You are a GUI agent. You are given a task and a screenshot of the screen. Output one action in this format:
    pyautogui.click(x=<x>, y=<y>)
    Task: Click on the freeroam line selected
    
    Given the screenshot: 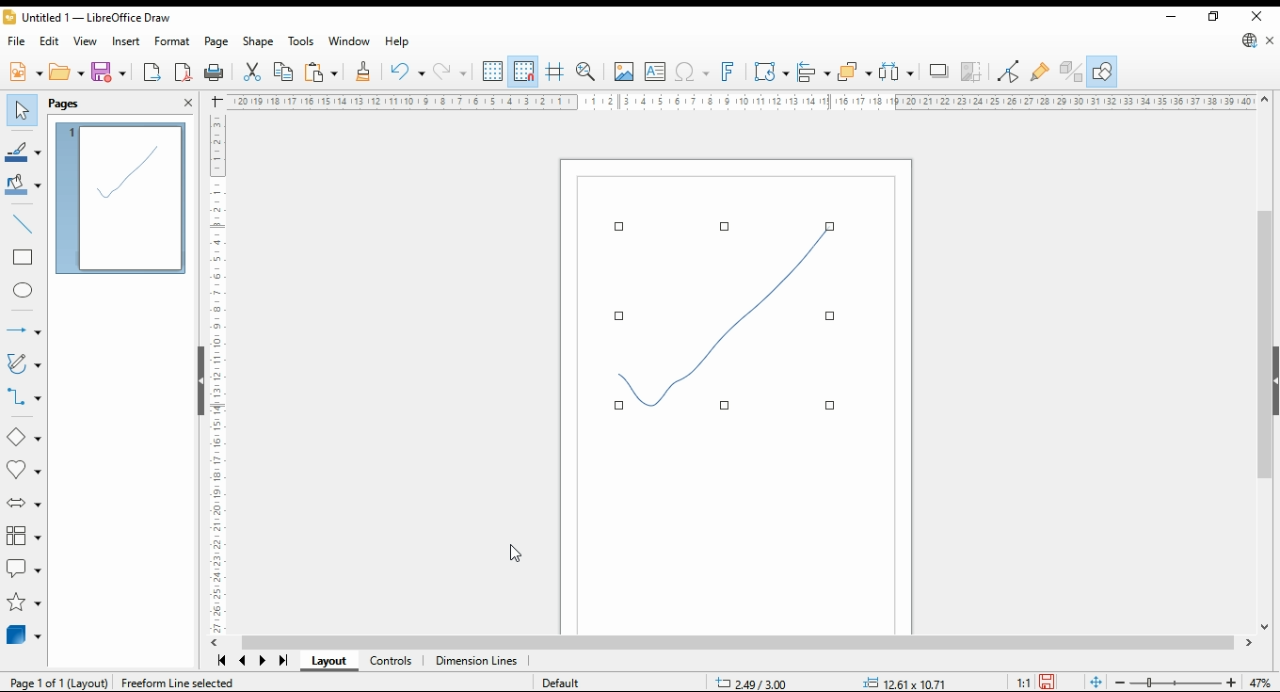 What is the action you would take?
    pyautogui.click(x=179, y=684)
    